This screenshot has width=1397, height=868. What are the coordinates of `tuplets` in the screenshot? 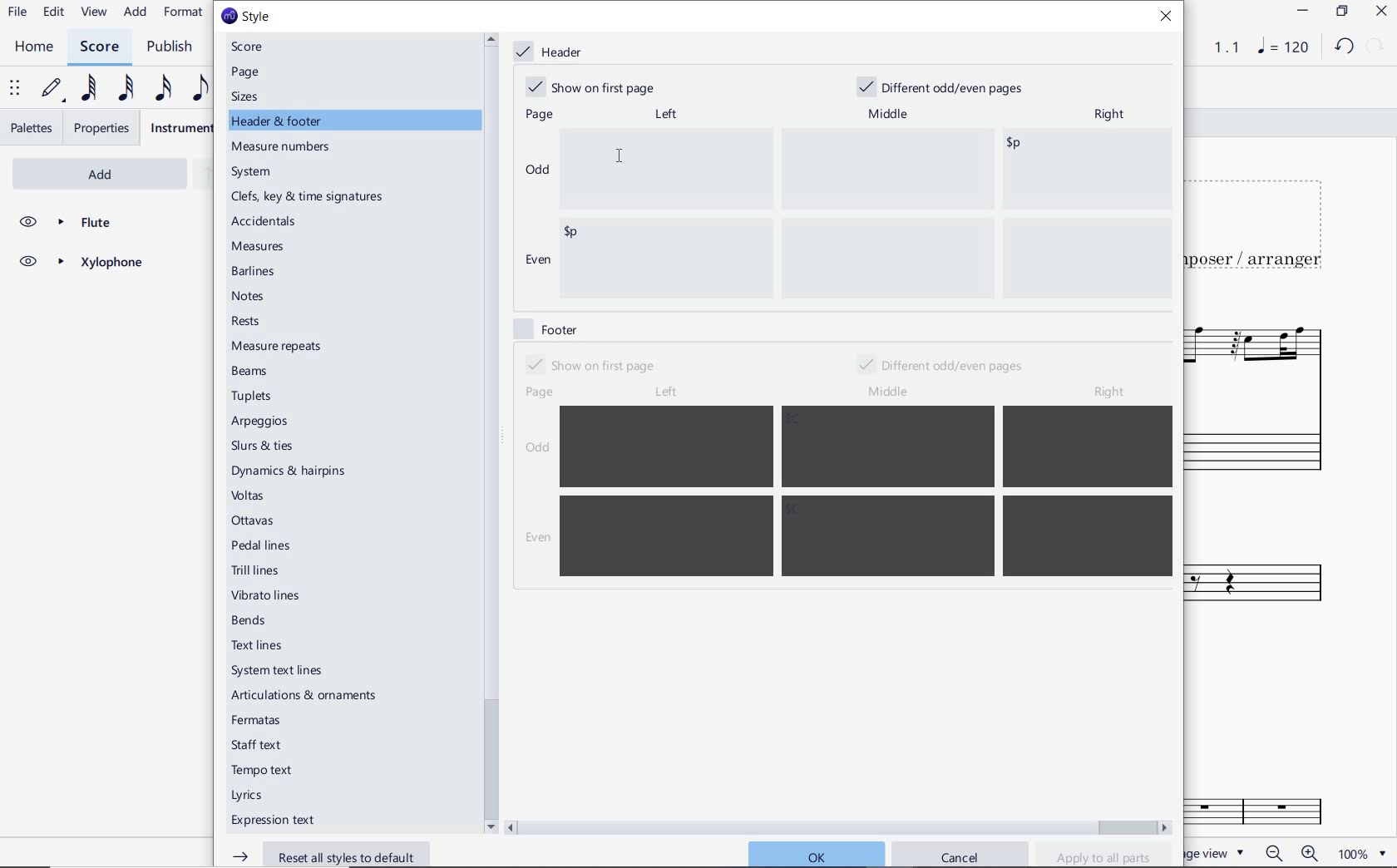 It's located at (254, 397).